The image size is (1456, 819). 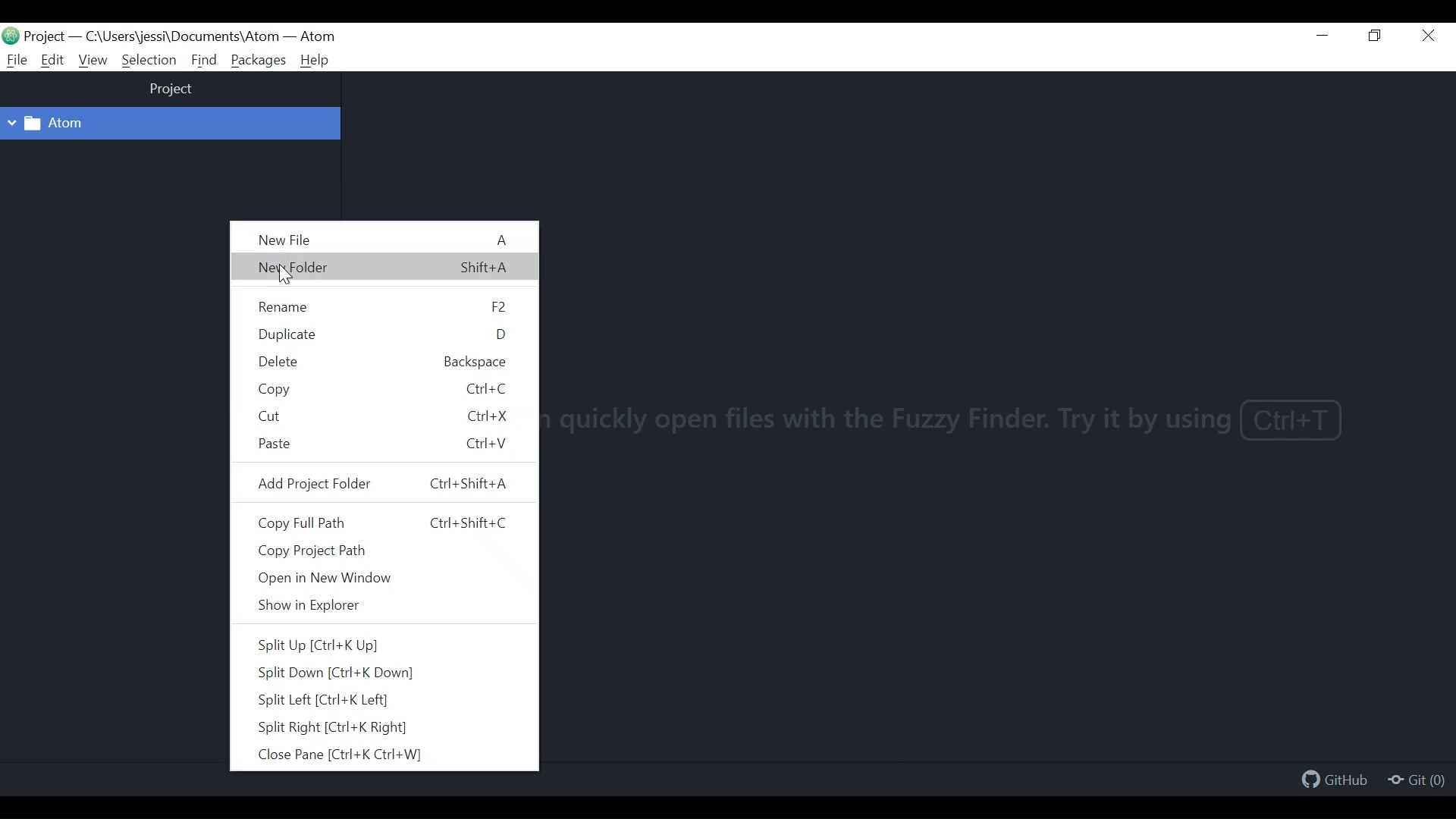 I want to click on Cut, so click(x=269, y=417).